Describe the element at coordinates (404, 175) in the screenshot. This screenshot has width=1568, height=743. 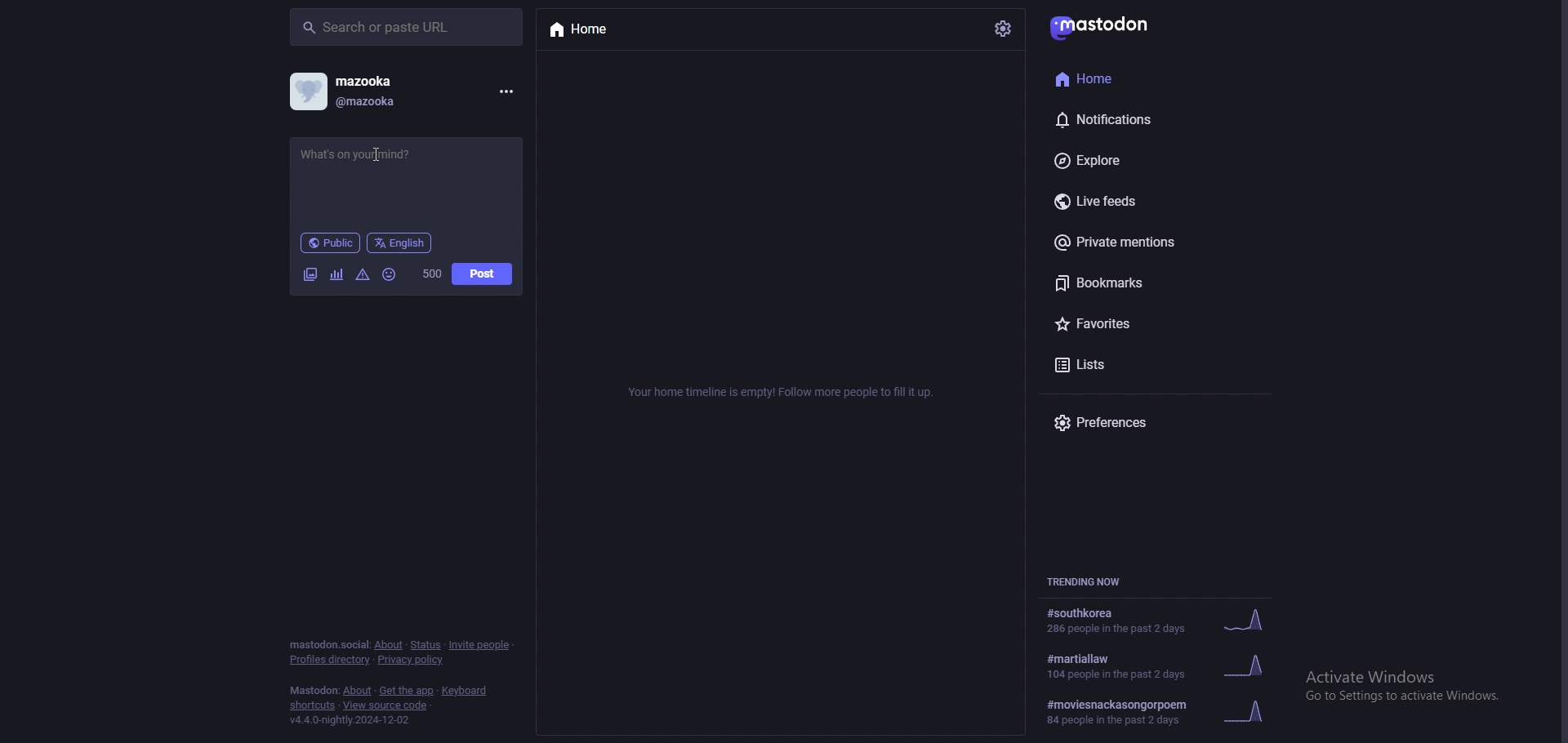
I see `status` at that location.